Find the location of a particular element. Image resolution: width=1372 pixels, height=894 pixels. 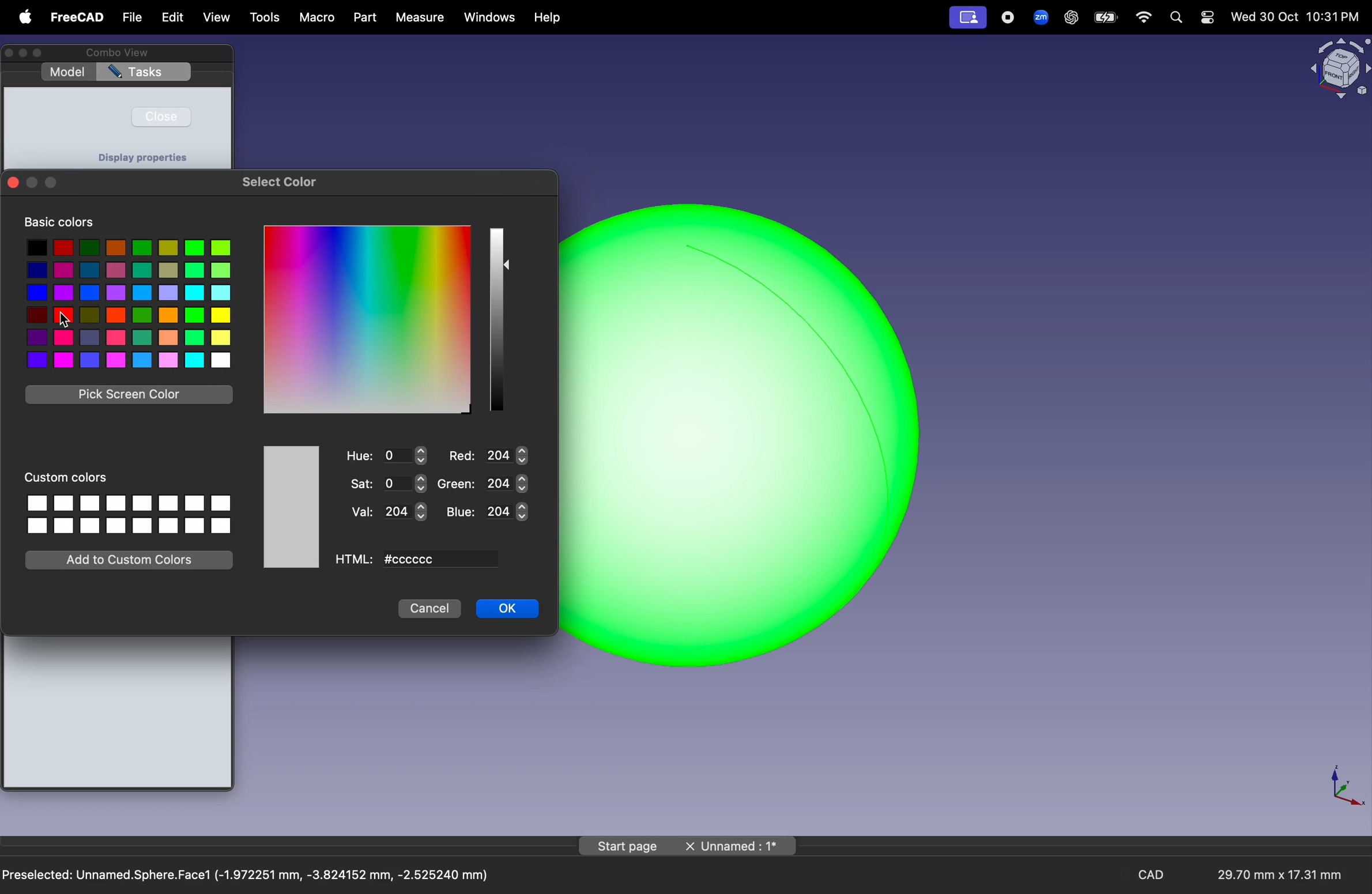

search is located at coordinates (1175, 17).